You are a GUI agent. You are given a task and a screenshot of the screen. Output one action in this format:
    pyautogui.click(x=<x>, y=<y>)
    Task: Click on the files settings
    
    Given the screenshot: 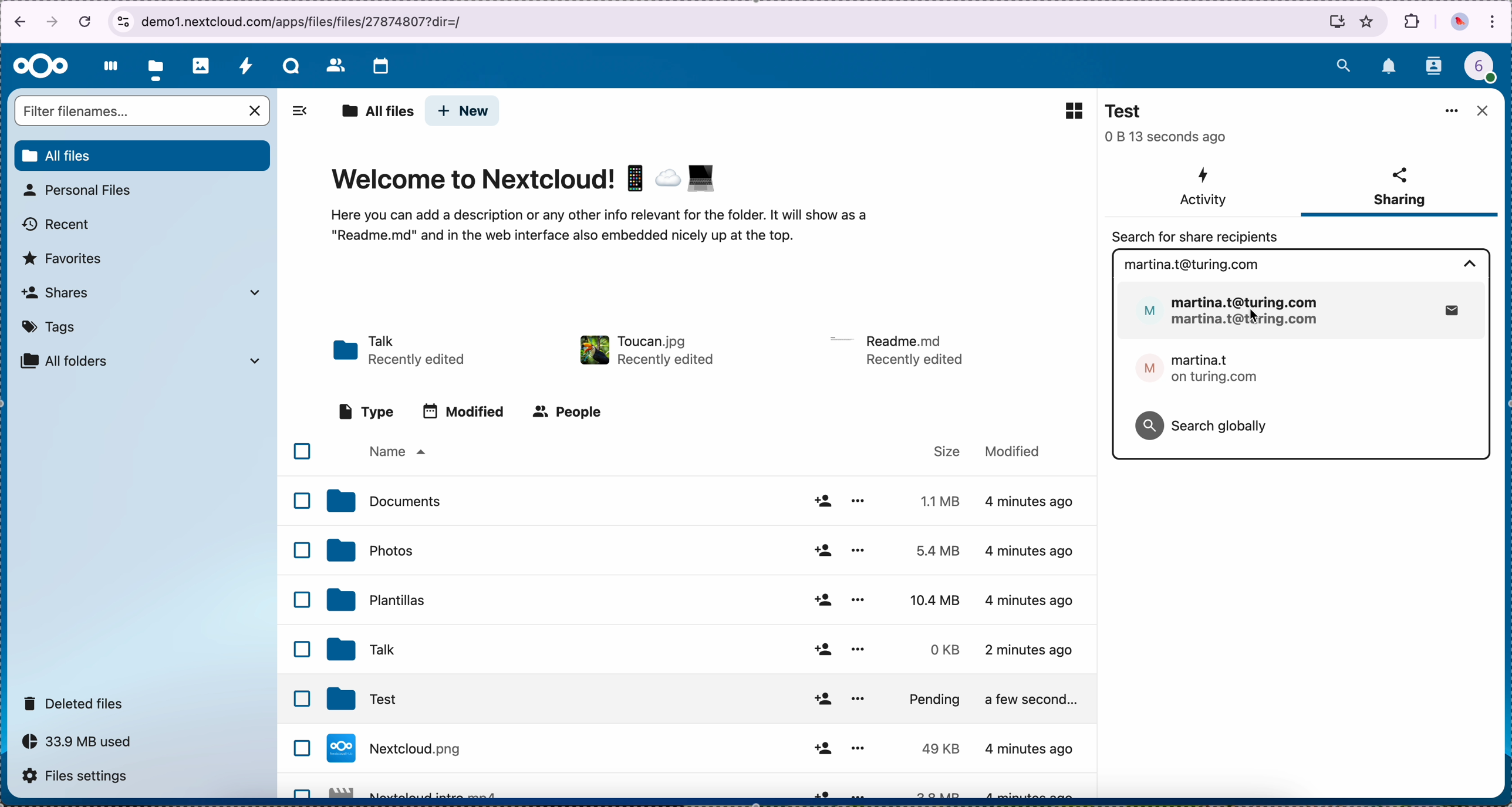 What is the action you would take?
    pyautogui.click(x=81, y=777)
    